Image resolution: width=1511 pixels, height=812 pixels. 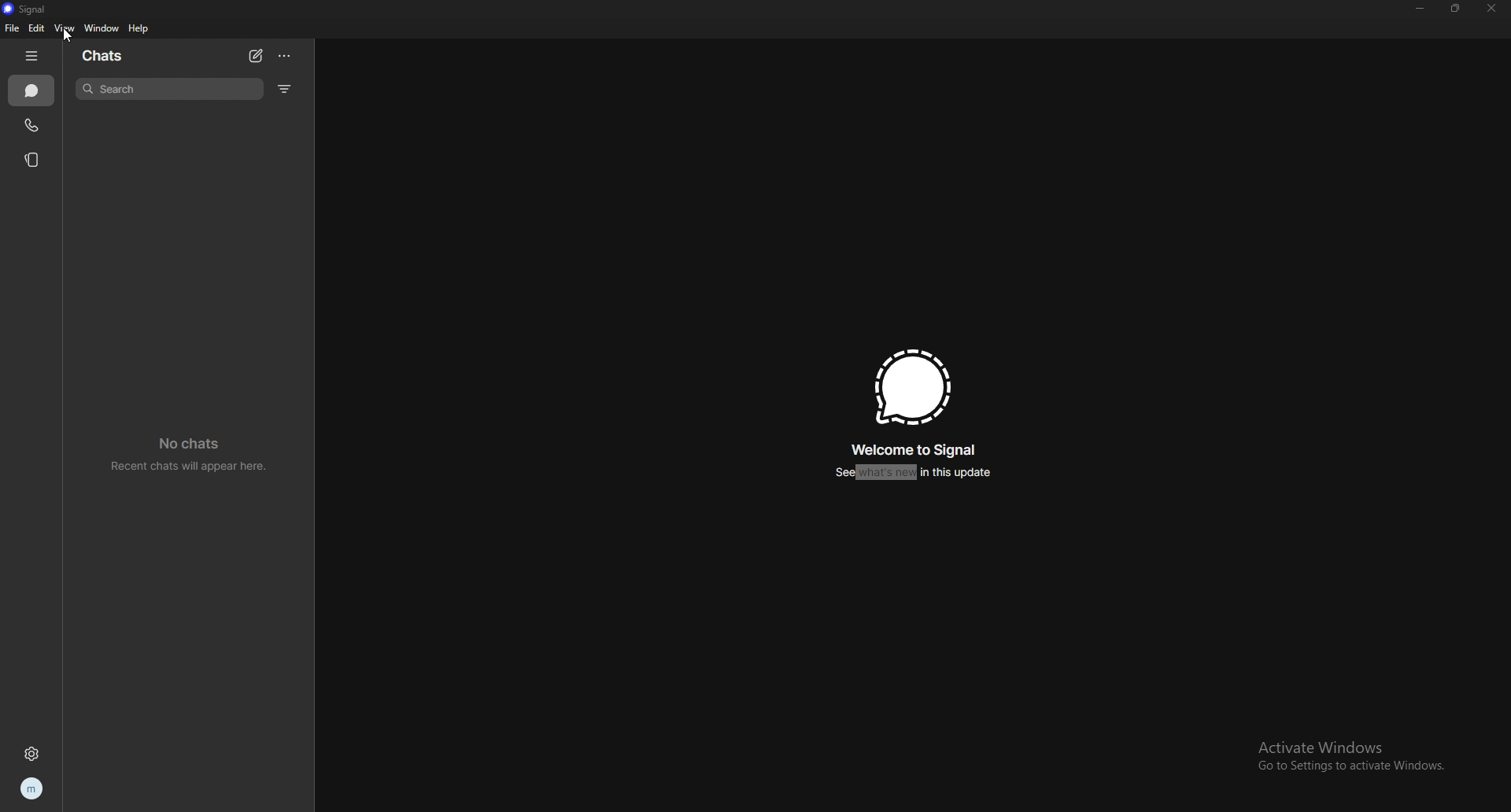 What do you see at coordinates (33, 754) in the screenshot?
I see `settings` at bounding box center [33, 754].